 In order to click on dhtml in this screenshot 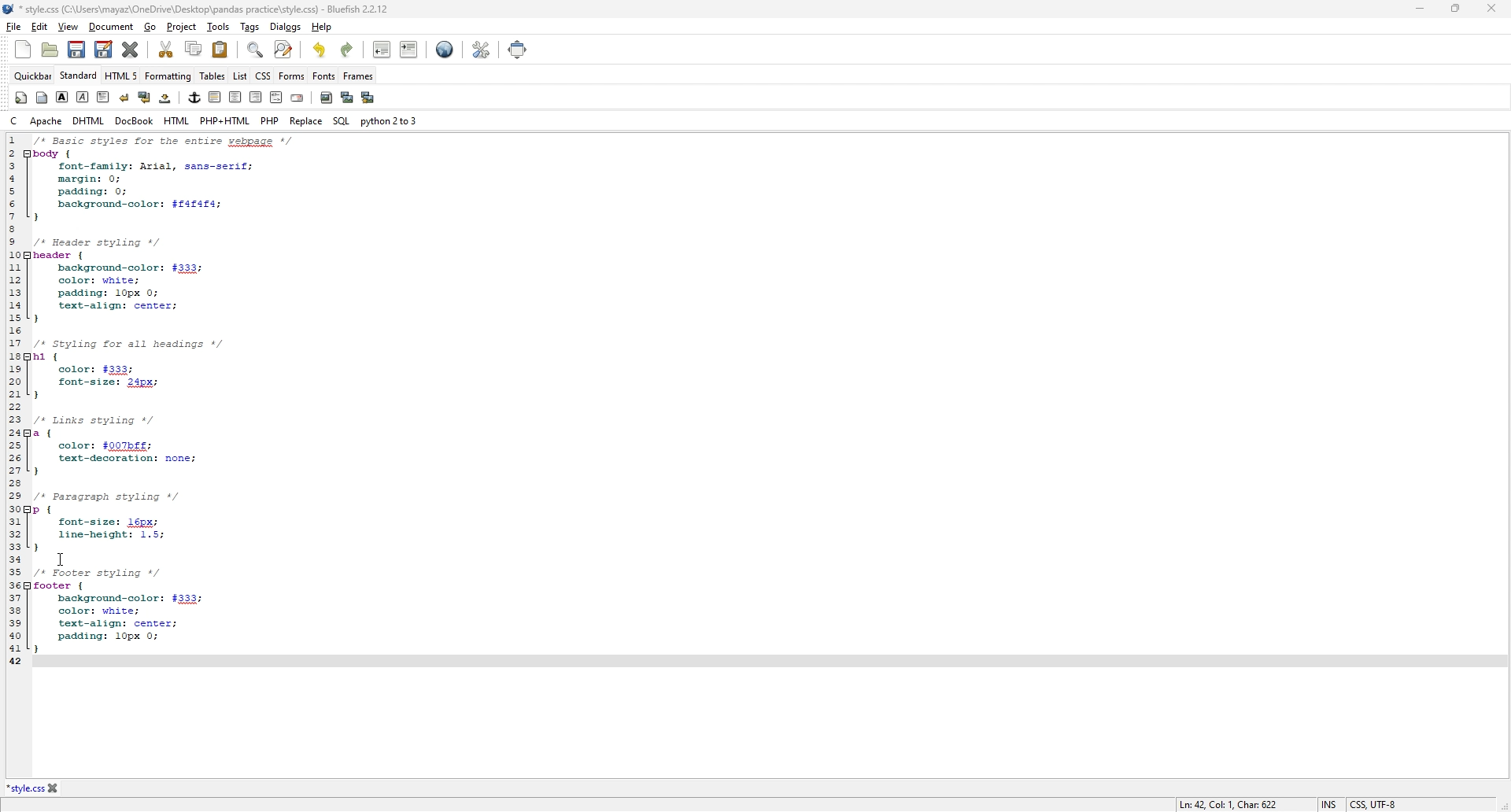, I will do `click(90, 120)`.